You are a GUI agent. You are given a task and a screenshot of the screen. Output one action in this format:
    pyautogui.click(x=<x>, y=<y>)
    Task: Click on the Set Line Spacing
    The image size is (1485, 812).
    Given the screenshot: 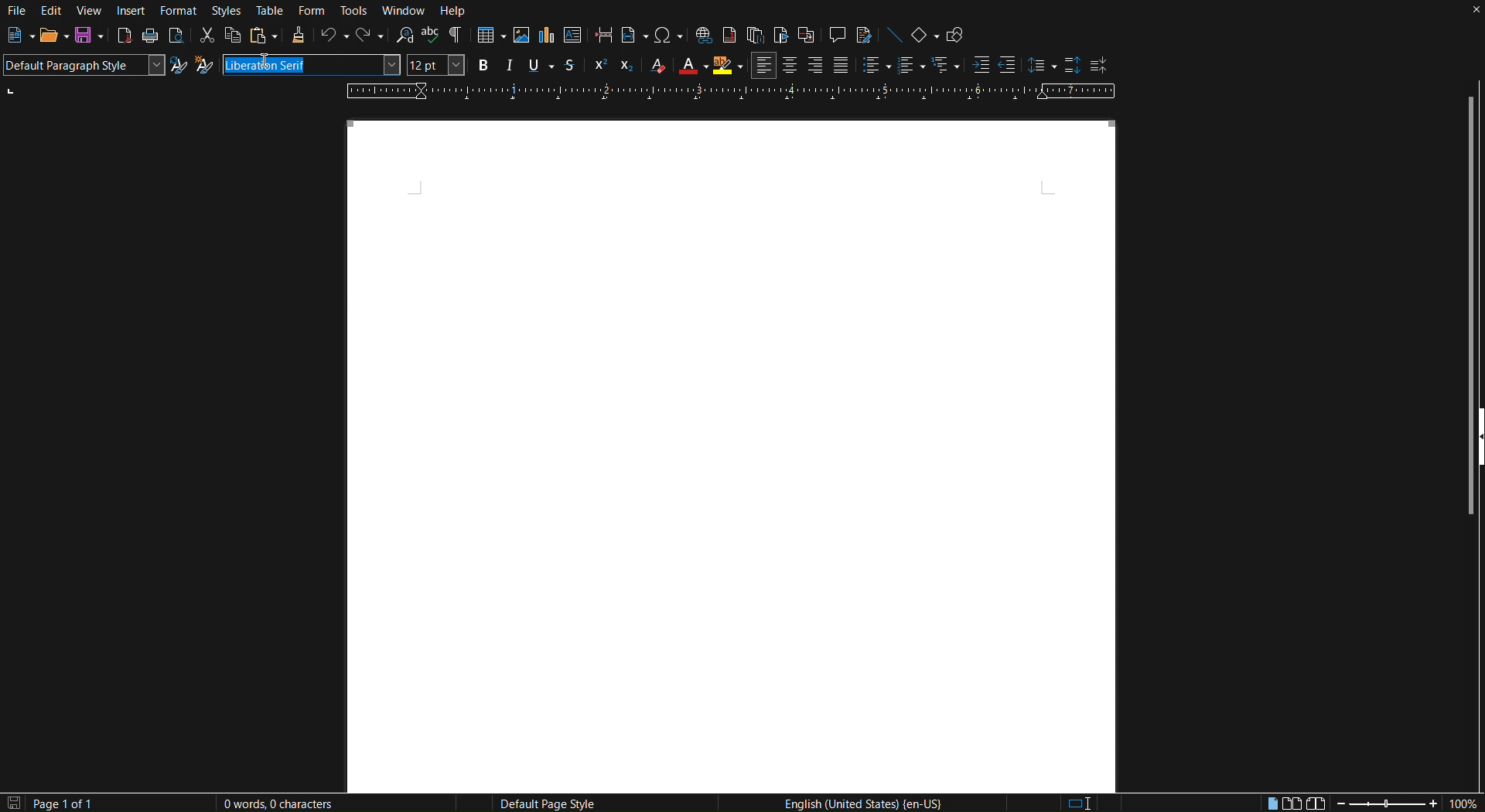 What is the action you would take?
    pyautogui.click(x=1041, y=67)
    